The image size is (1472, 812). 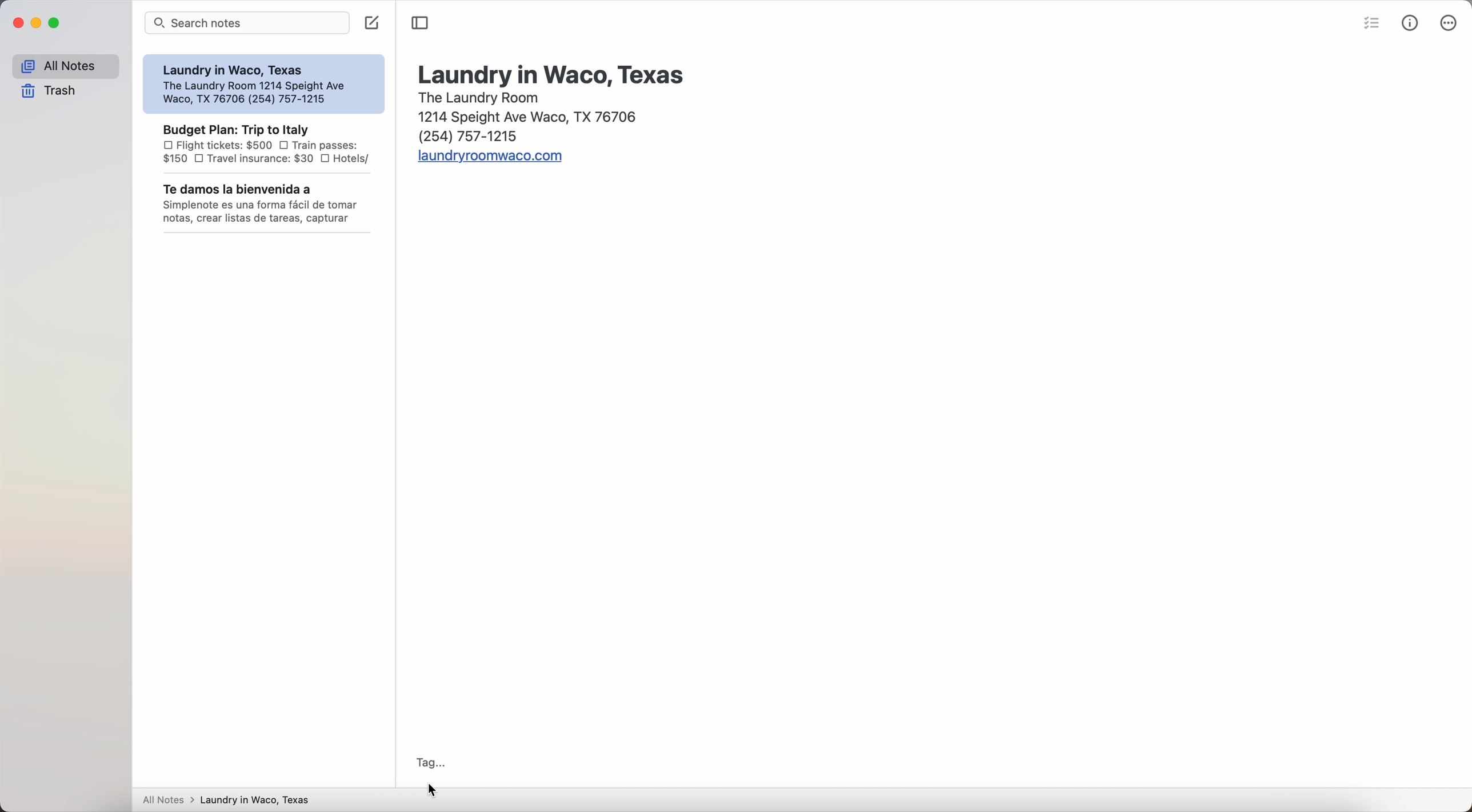 I want to click on URL: laundryroomwaco.com, so click(x=489, y=158).